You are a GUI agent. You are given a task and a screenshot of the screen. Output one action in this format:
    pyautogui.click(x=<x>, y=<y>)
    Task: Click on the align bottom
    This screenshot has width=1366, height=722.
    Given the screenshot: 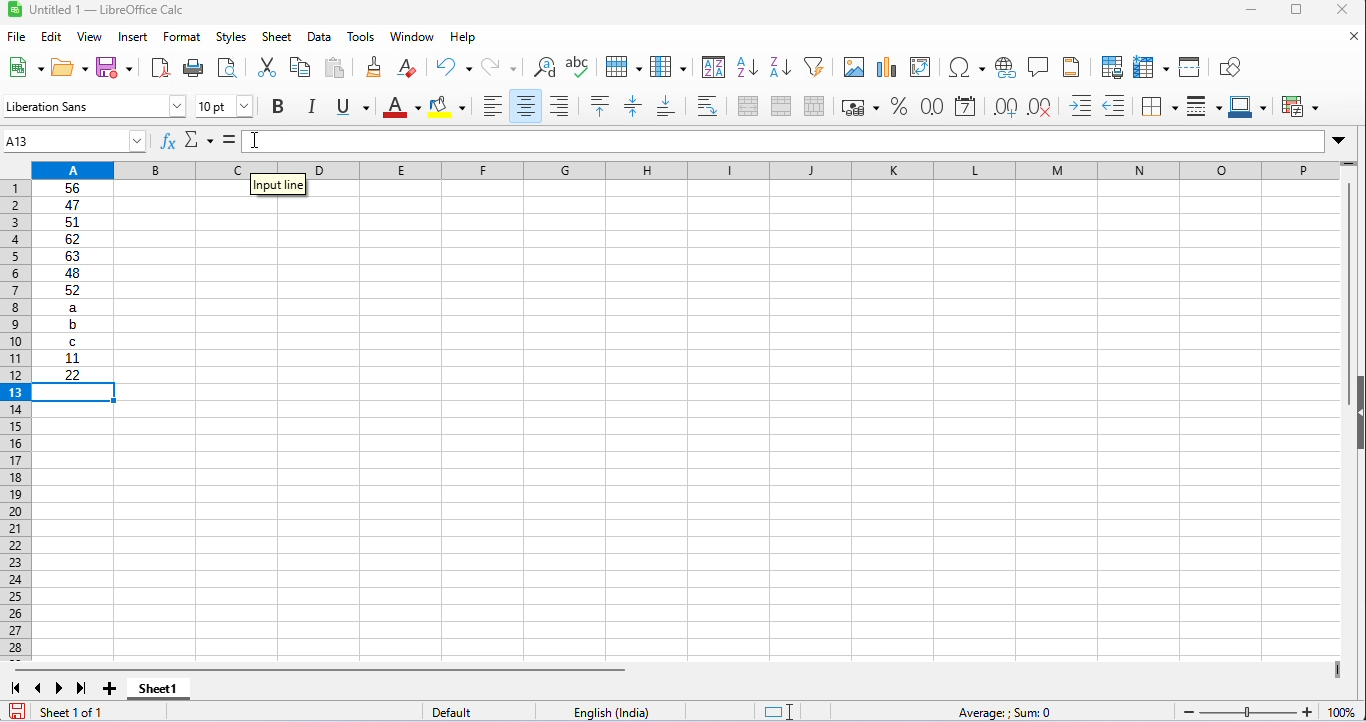 What is the action you would take?
    pyautogui.click(x=666, y=106)
    